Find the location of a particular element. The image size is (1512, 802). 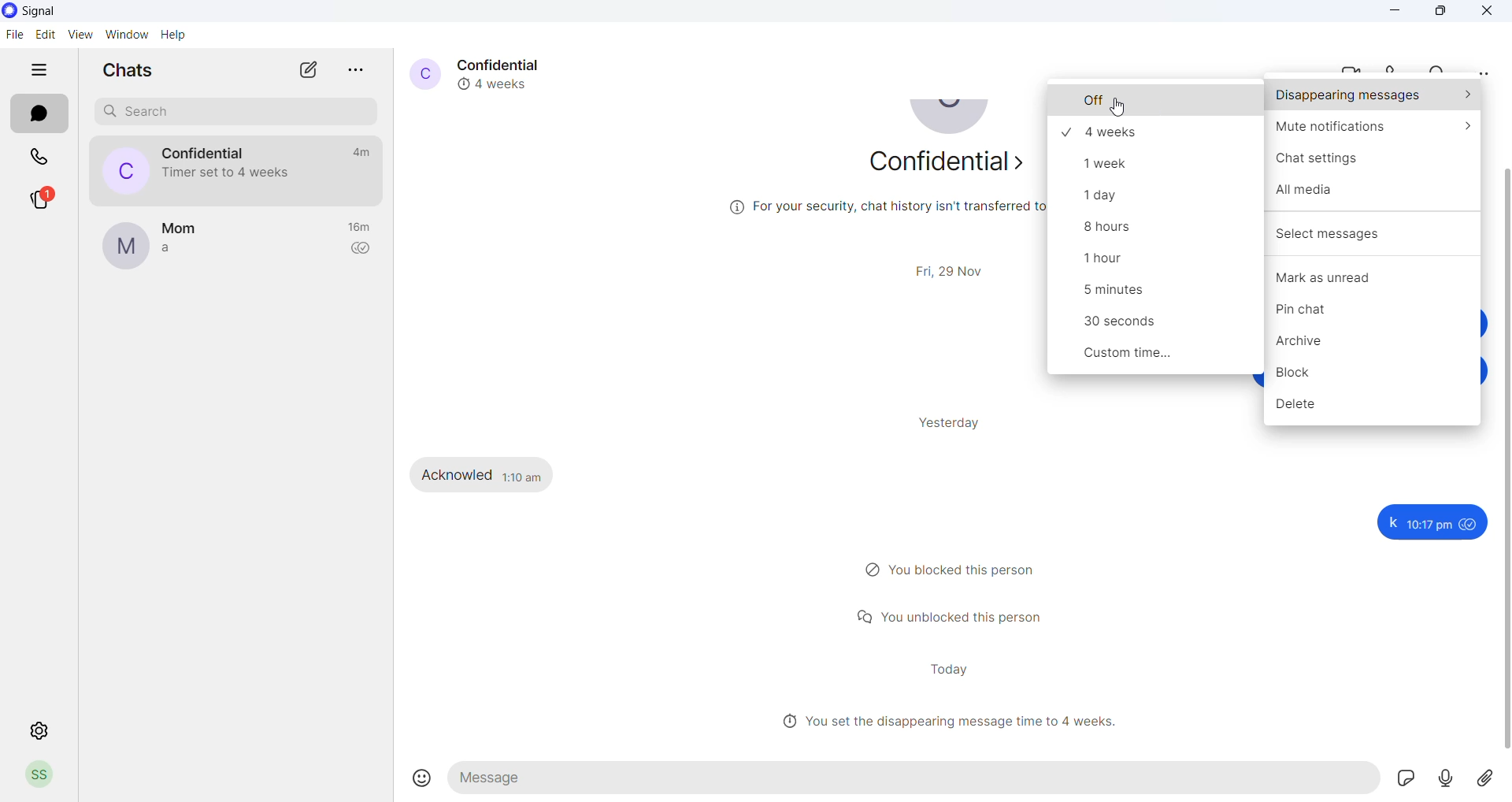

hide tabs is located at coordinates (37, 74).